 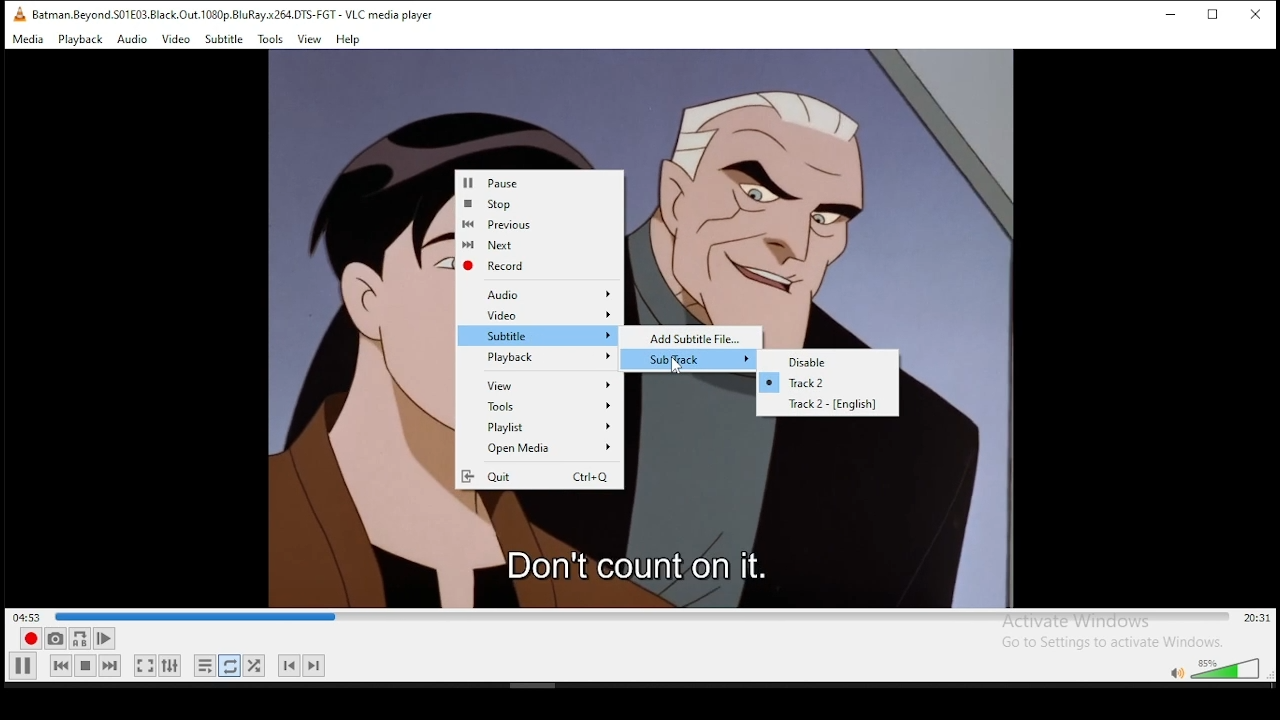 I want to click on Loop Playlist , so click(x=206, y=668).